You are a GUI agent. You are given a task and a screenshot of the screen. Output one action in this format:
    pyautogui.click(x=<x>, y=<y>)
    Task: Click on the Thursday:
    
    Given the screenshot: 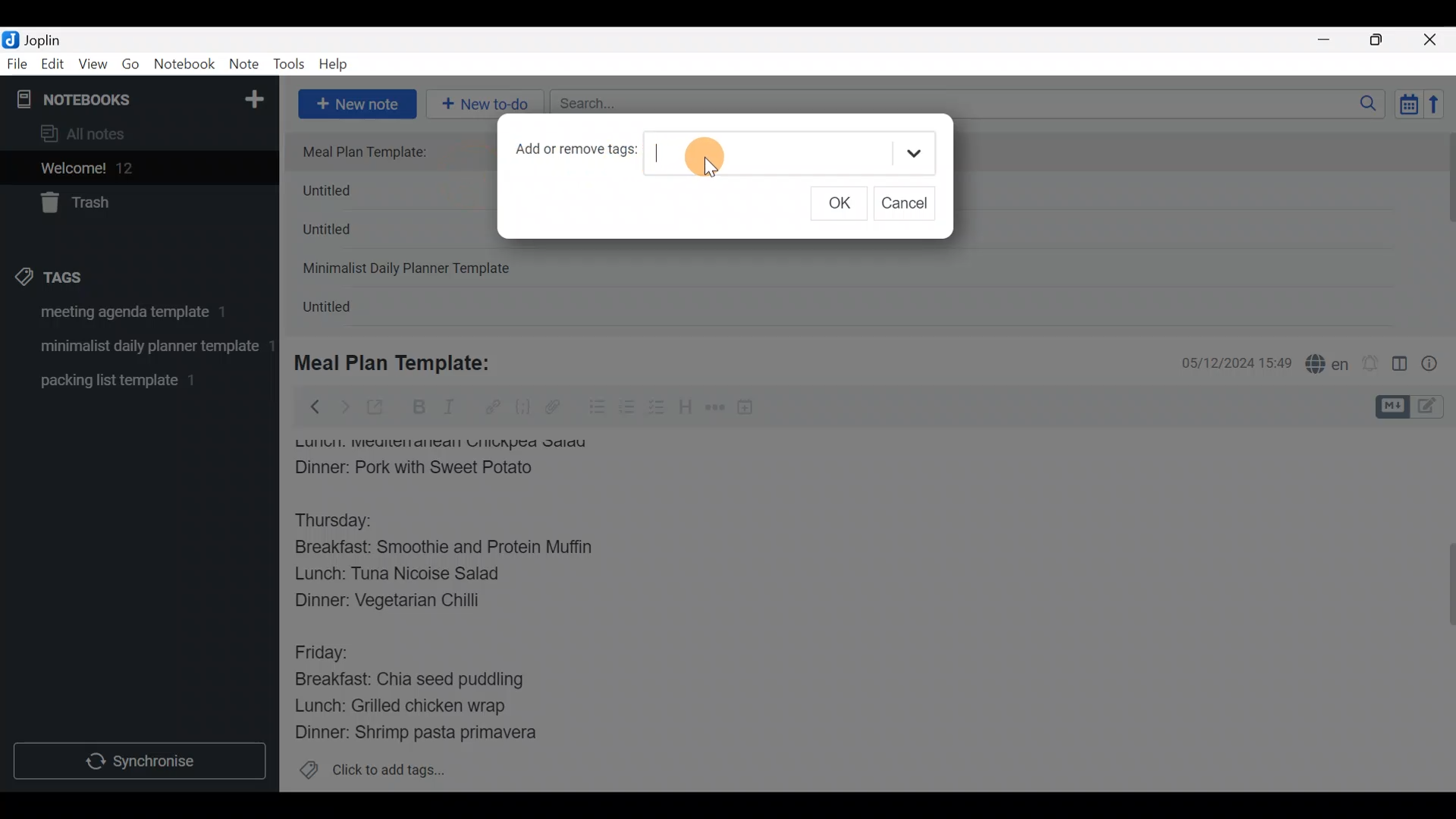 What is the action you would take?
    pyautogui.click(x=344, y=521)
    